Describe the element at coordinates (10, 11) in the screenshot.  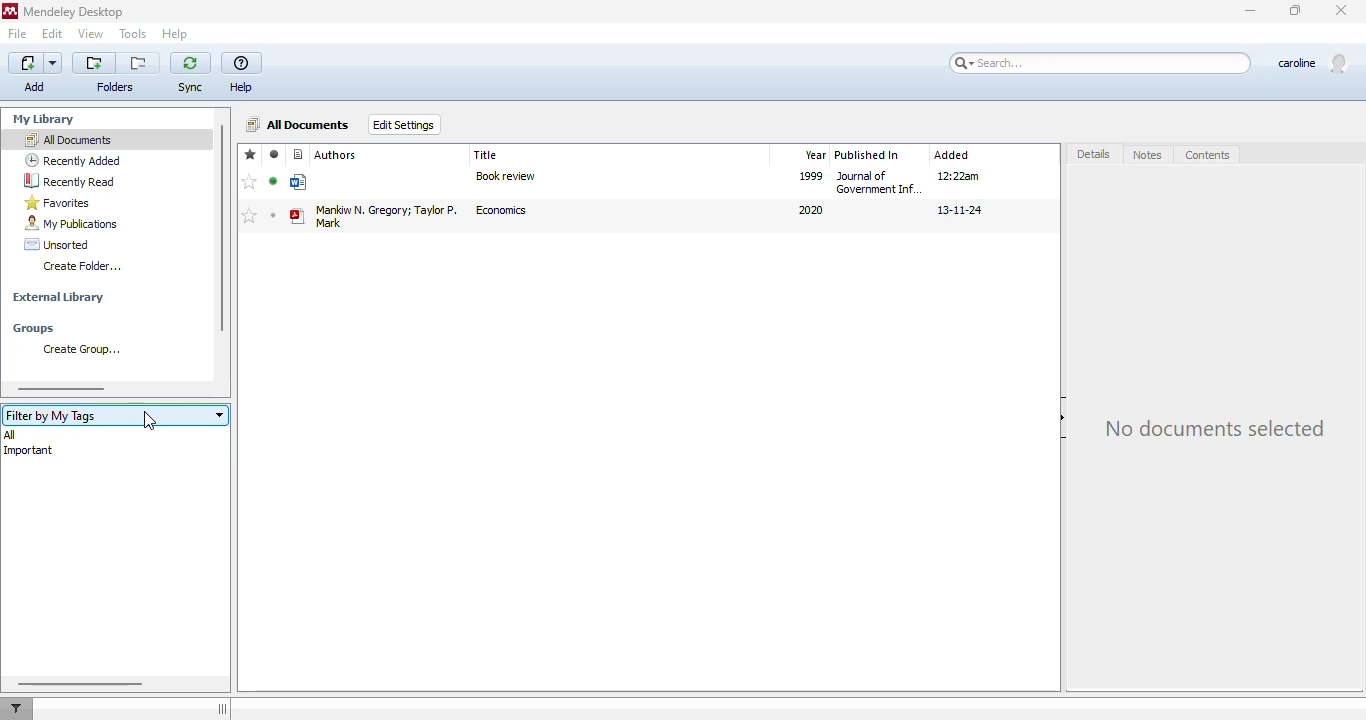
I see `logo` at that location.